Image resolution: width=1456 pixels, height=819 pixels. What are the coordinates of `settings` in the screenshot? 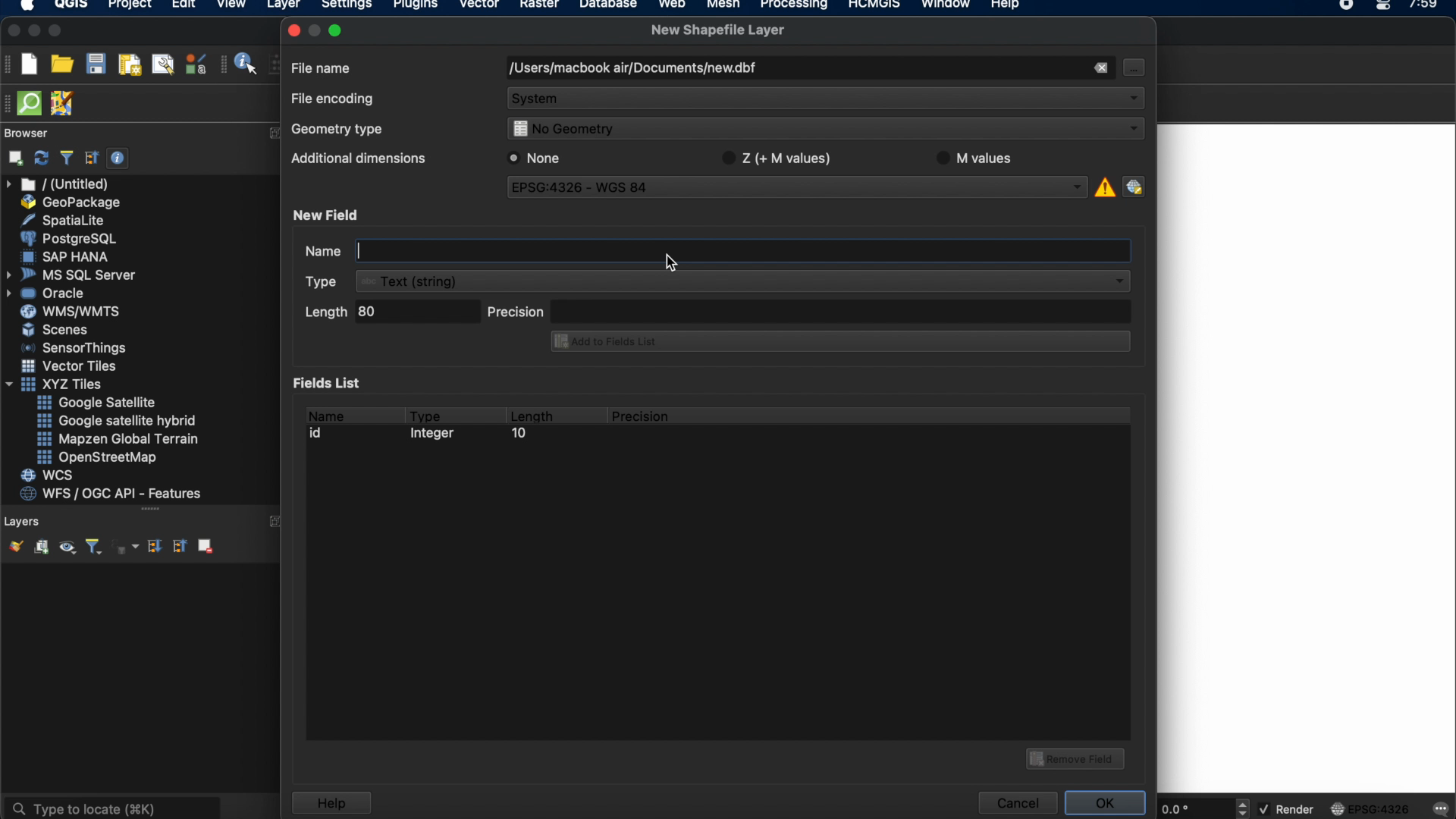 It's located at (346, 7).